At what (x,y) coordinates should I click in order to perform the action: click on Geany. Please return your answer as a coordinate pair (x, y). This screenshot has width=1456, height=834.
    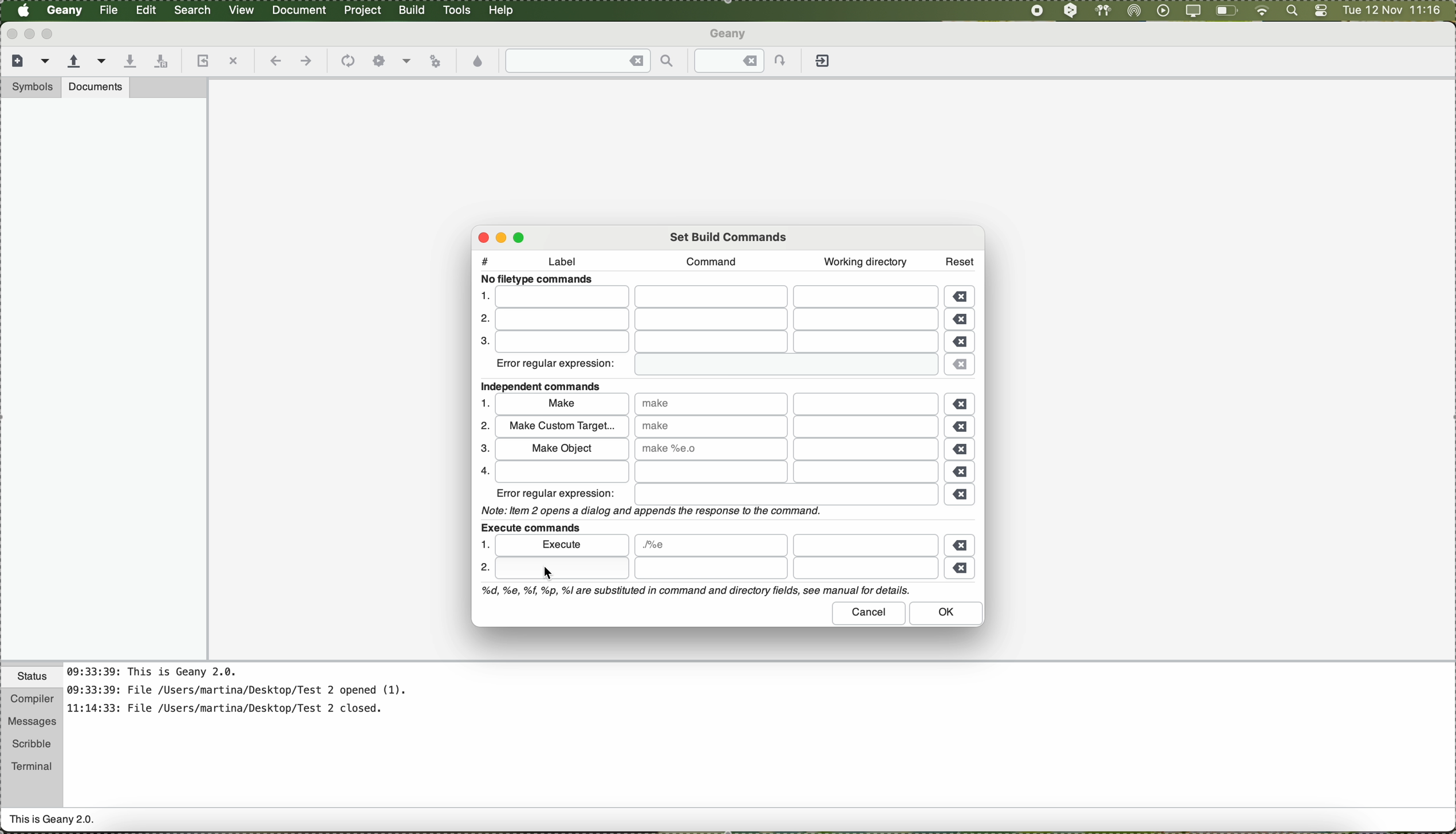
    Looking at the image, I should click on (730, 35).